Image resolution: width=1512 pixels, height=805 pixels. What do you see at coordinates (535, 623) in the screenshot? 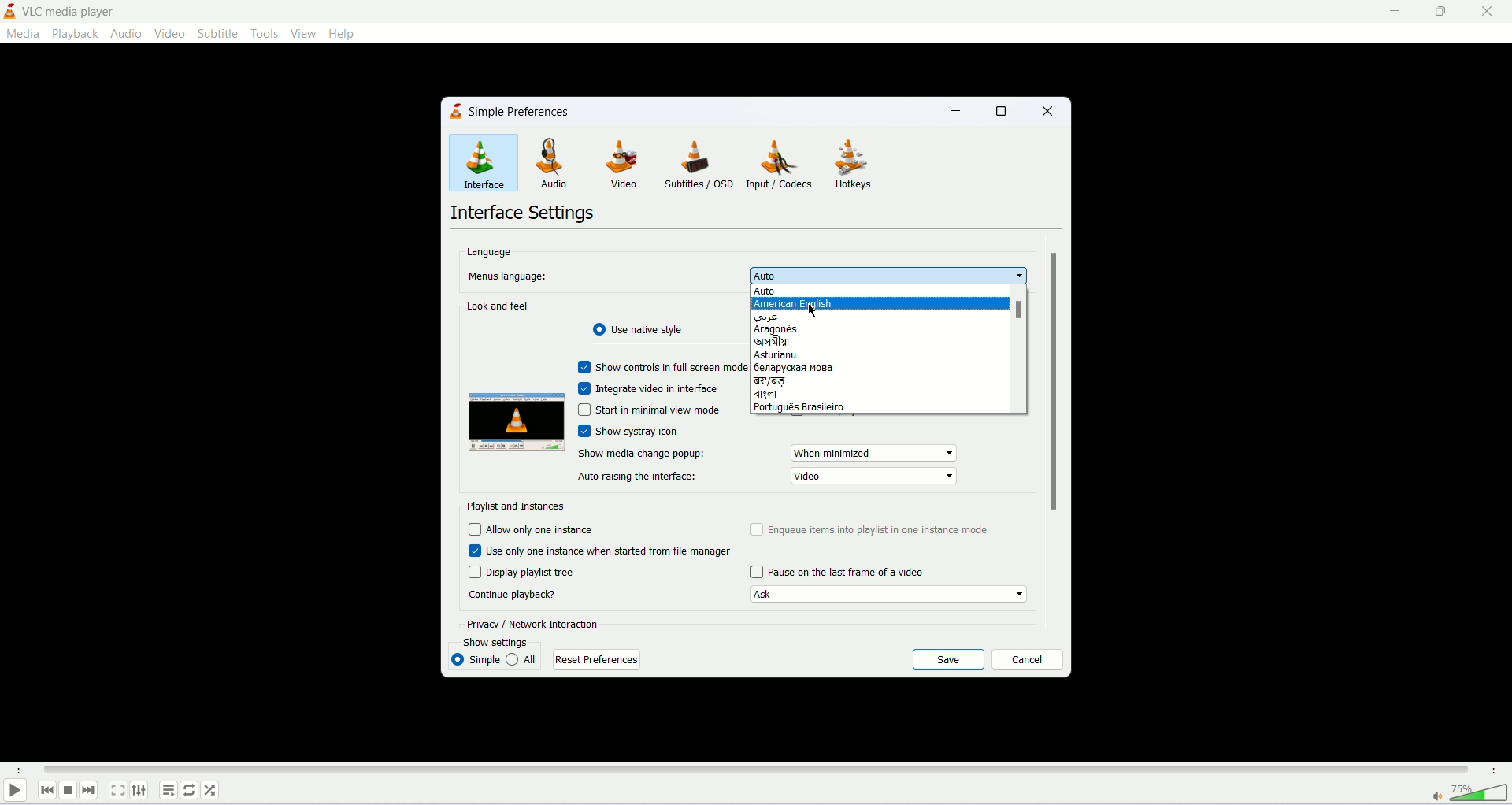
I see `privacy and network interaction` at bounding box center [535, 623].